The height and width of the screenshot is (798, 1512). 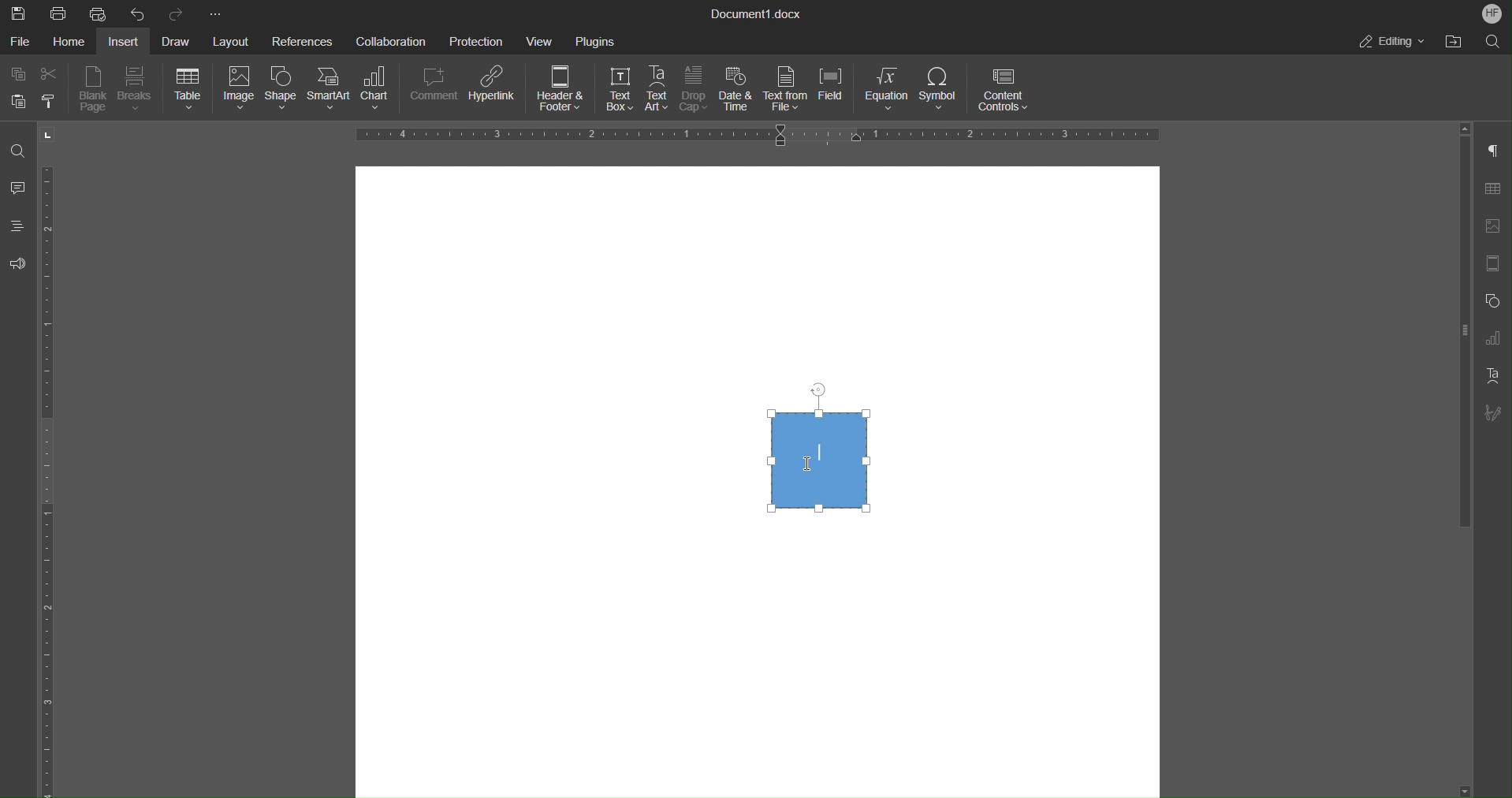 I want to click on Vertical scroll bar, so click(x=1462, y=337).